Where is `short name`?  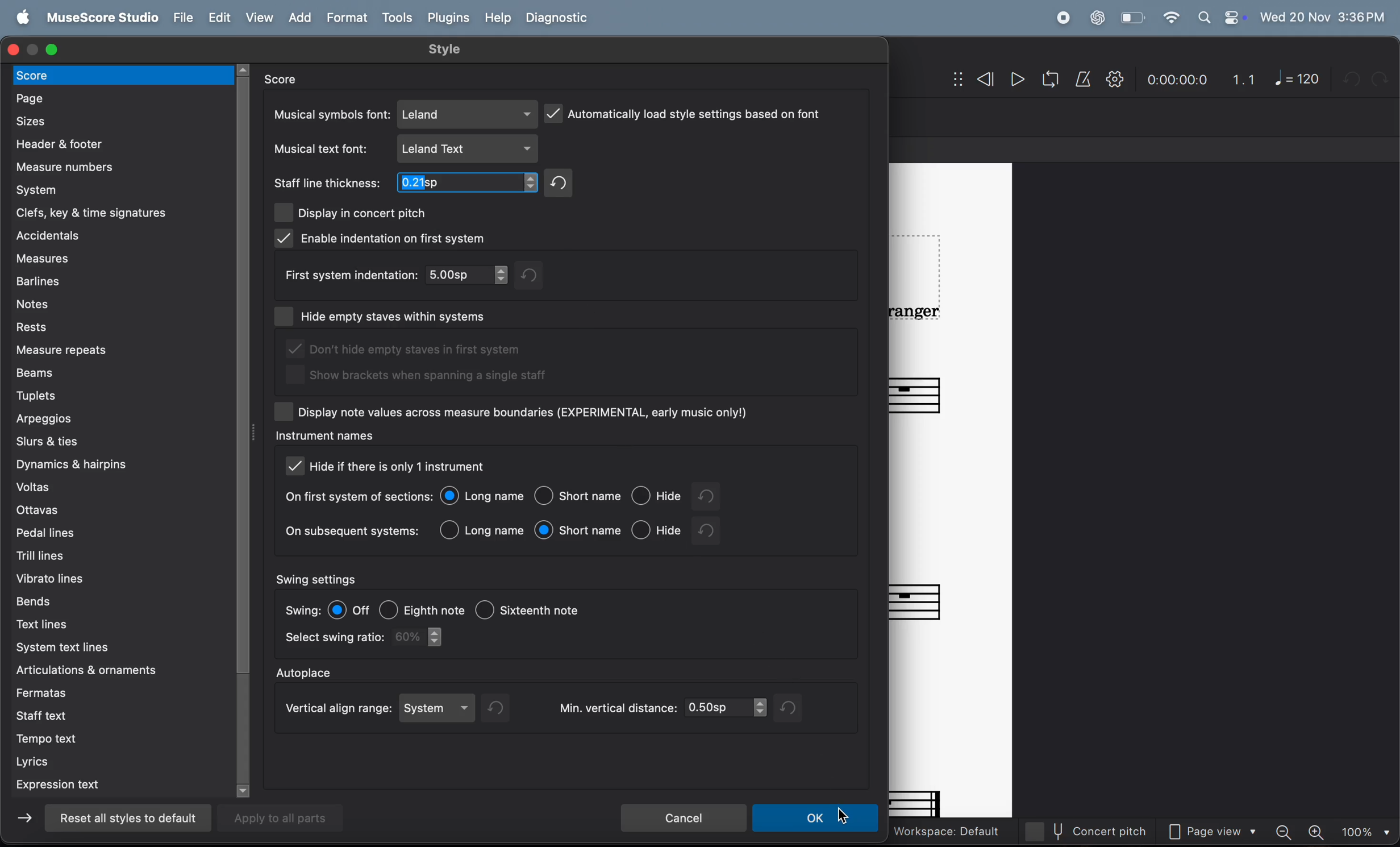 short name is located at coordinates (578, 530).